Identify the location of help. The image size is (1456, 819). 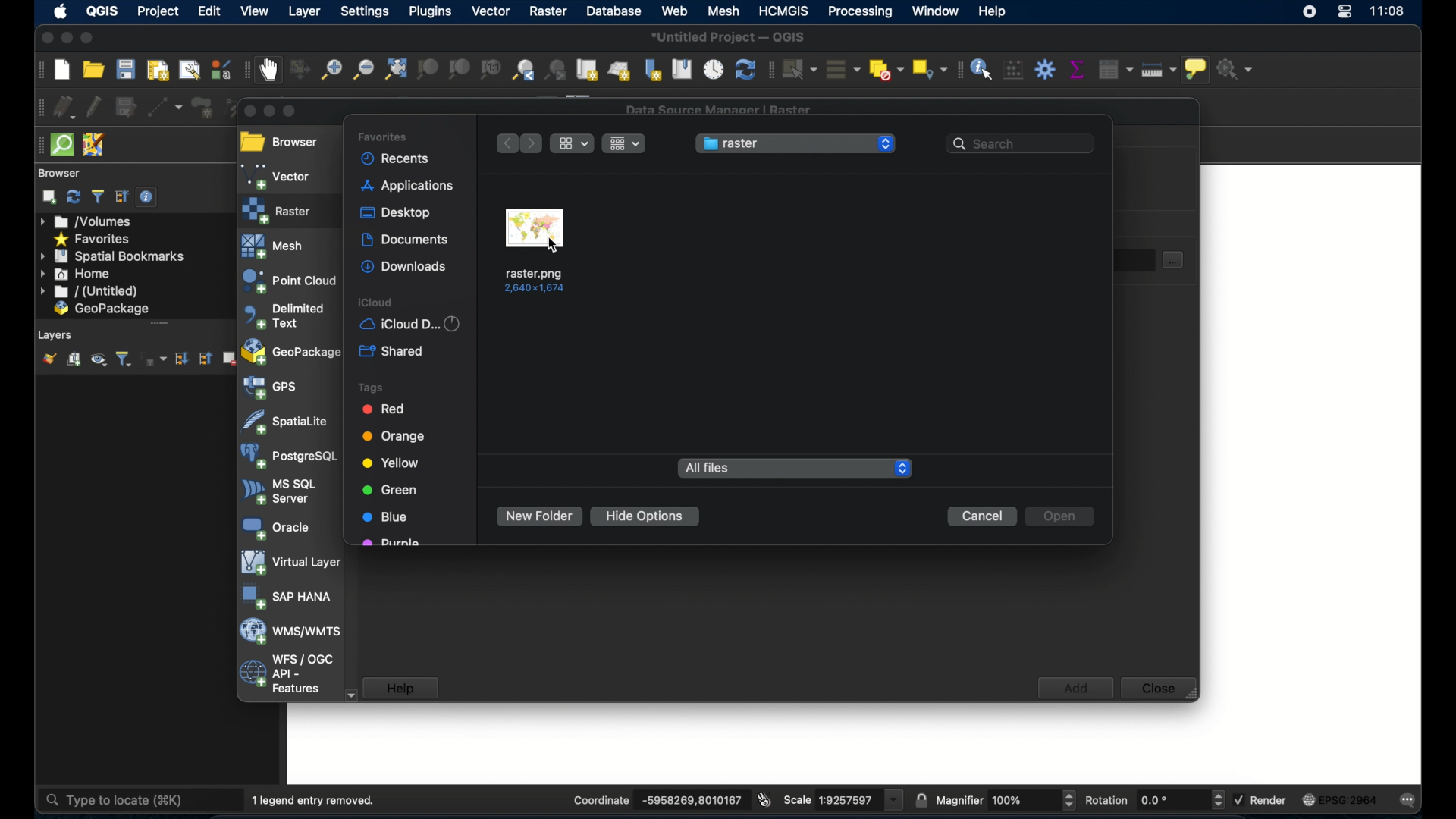
(994, 12).